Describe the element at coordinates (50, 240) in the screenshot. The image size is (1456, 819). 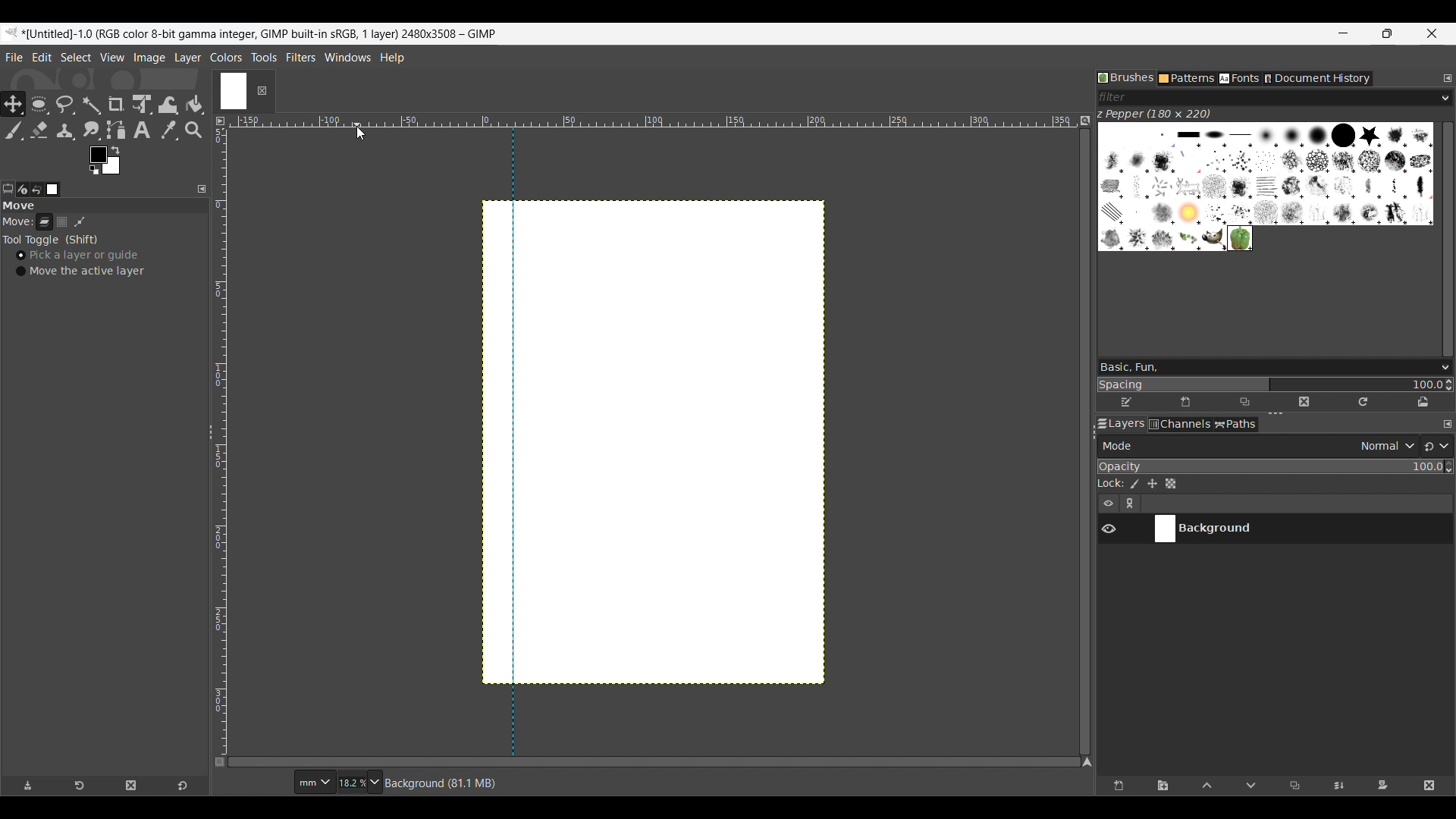
I see `Tool toggle options` at that location.